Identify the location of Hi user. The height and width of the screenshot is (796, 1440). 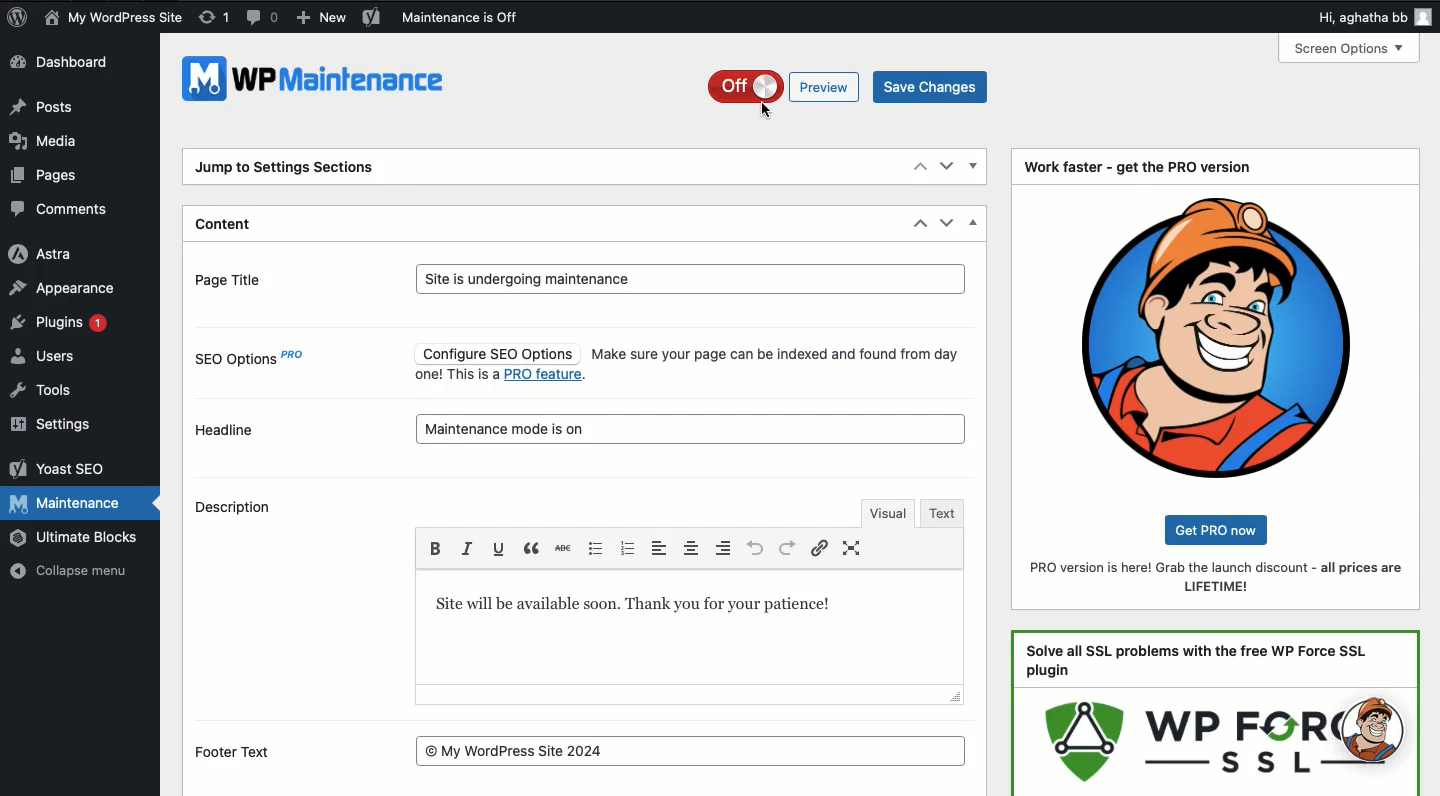
(1372, 14).